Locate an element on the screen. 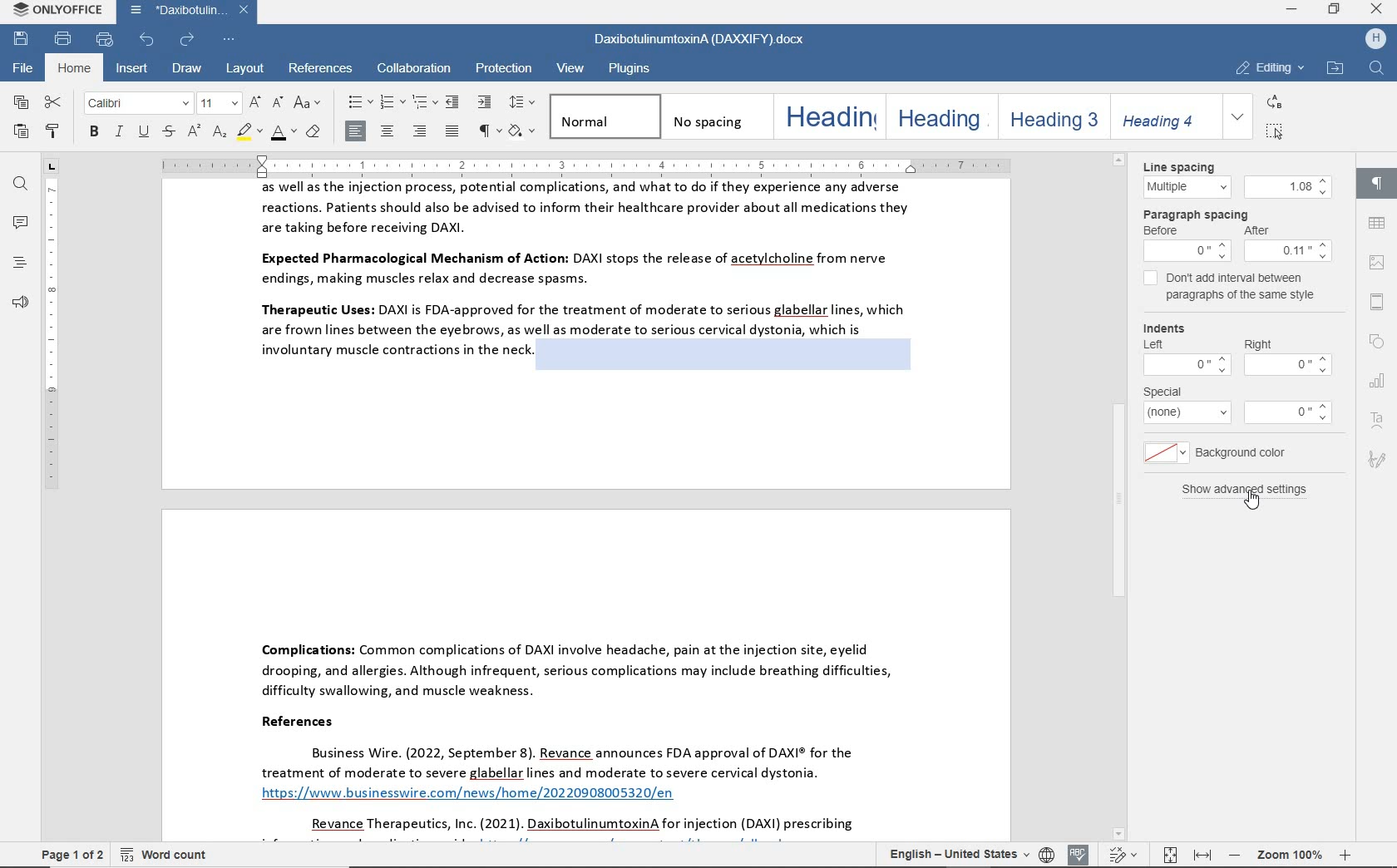 The width and height of the screenshot is (1397, 868). image is located at coordinates (1377, 264).